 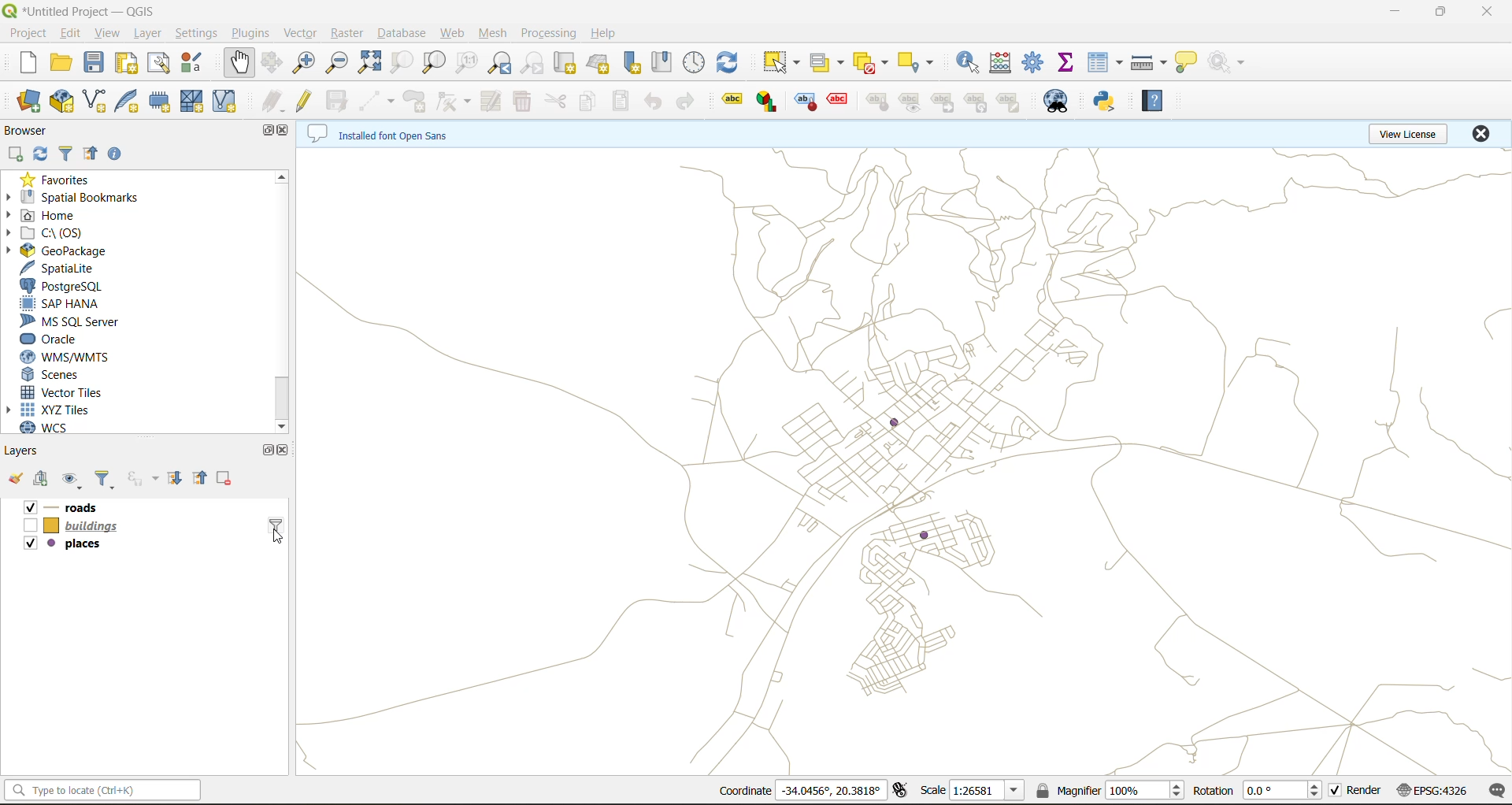 I want to click on show spatial bookmark, so click(x=667, y=61).